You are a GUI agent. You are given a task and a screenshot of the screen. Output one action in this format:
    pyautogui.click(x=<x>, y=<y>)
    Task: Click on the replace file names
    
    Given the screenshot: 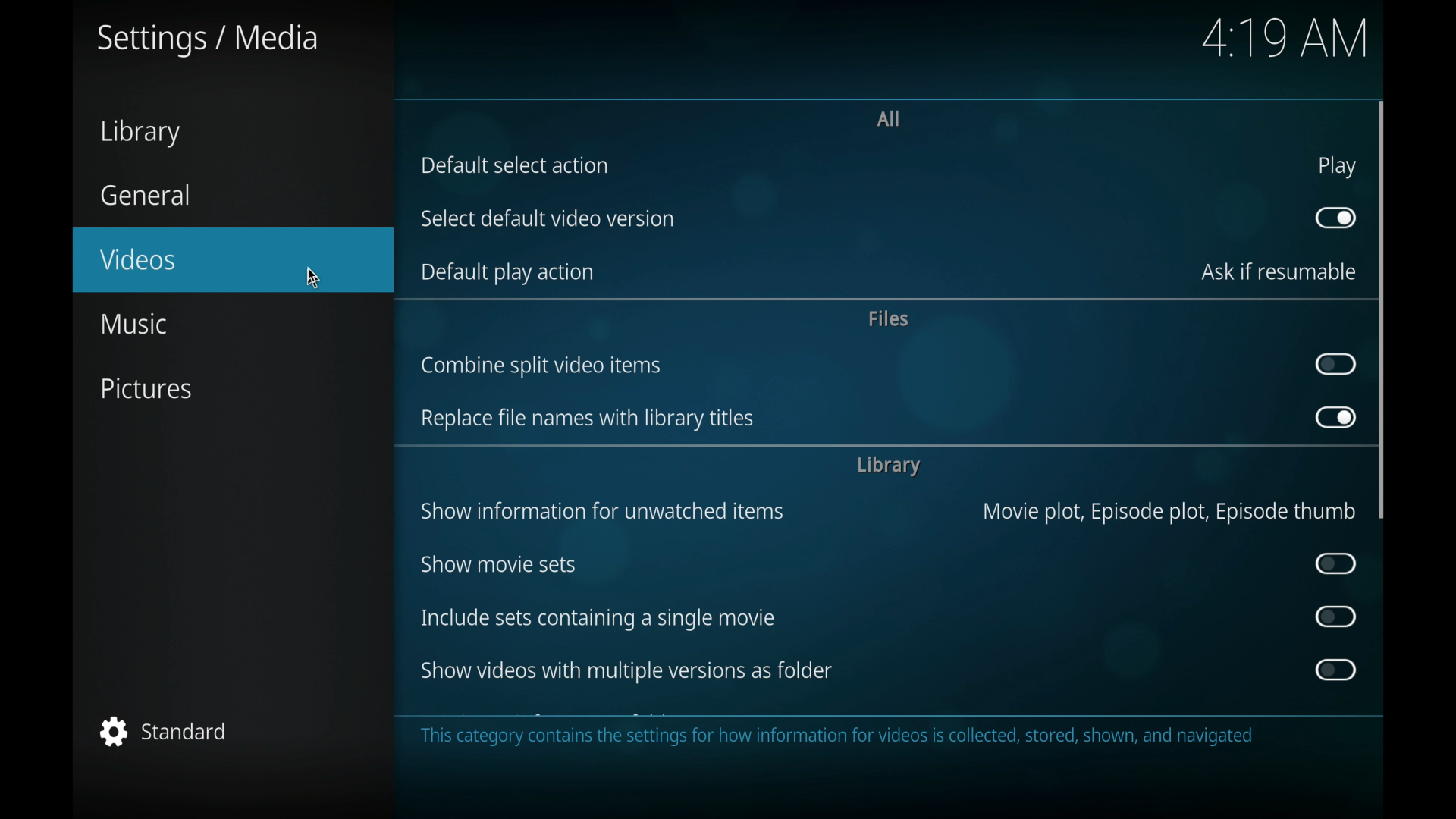 What is the action you would take?
    pyautogui.click(x=588, y=419)
    